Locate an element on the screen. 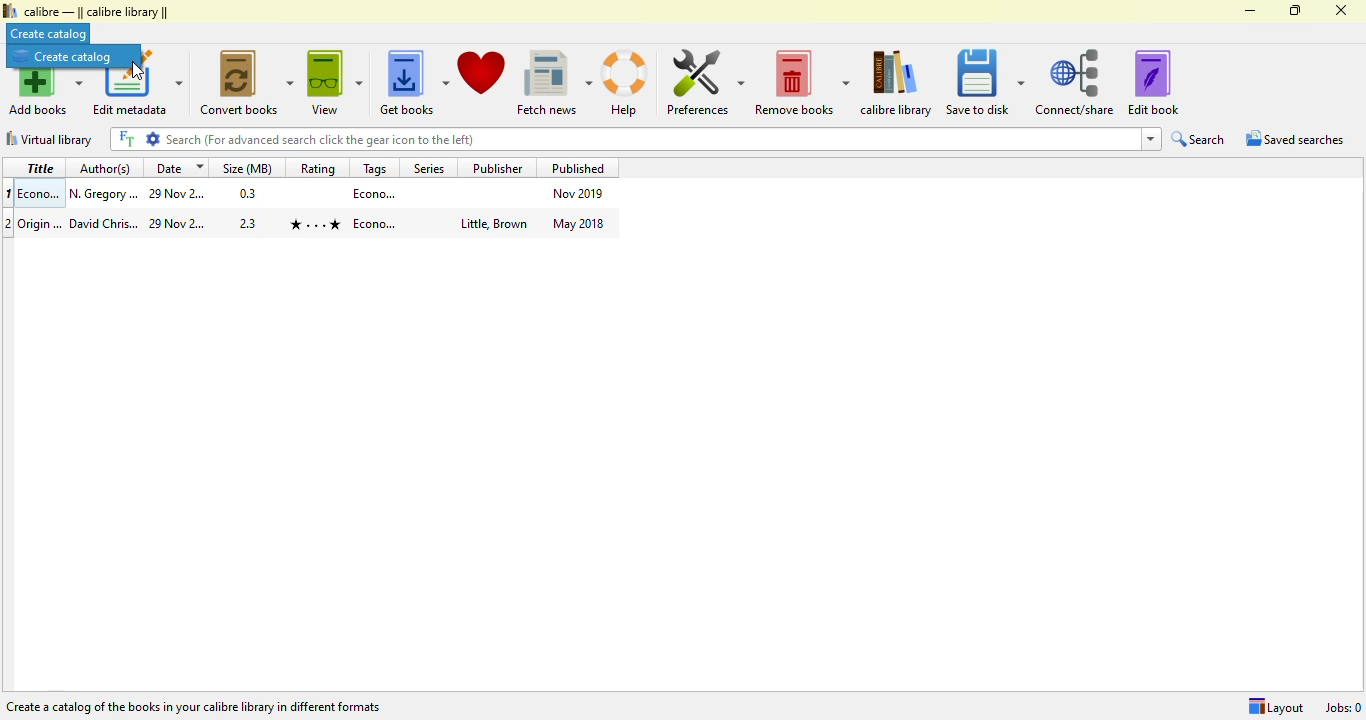 The width and height of the screenshot is (1366, 720). calibre library is located at coordinates (96, 13).